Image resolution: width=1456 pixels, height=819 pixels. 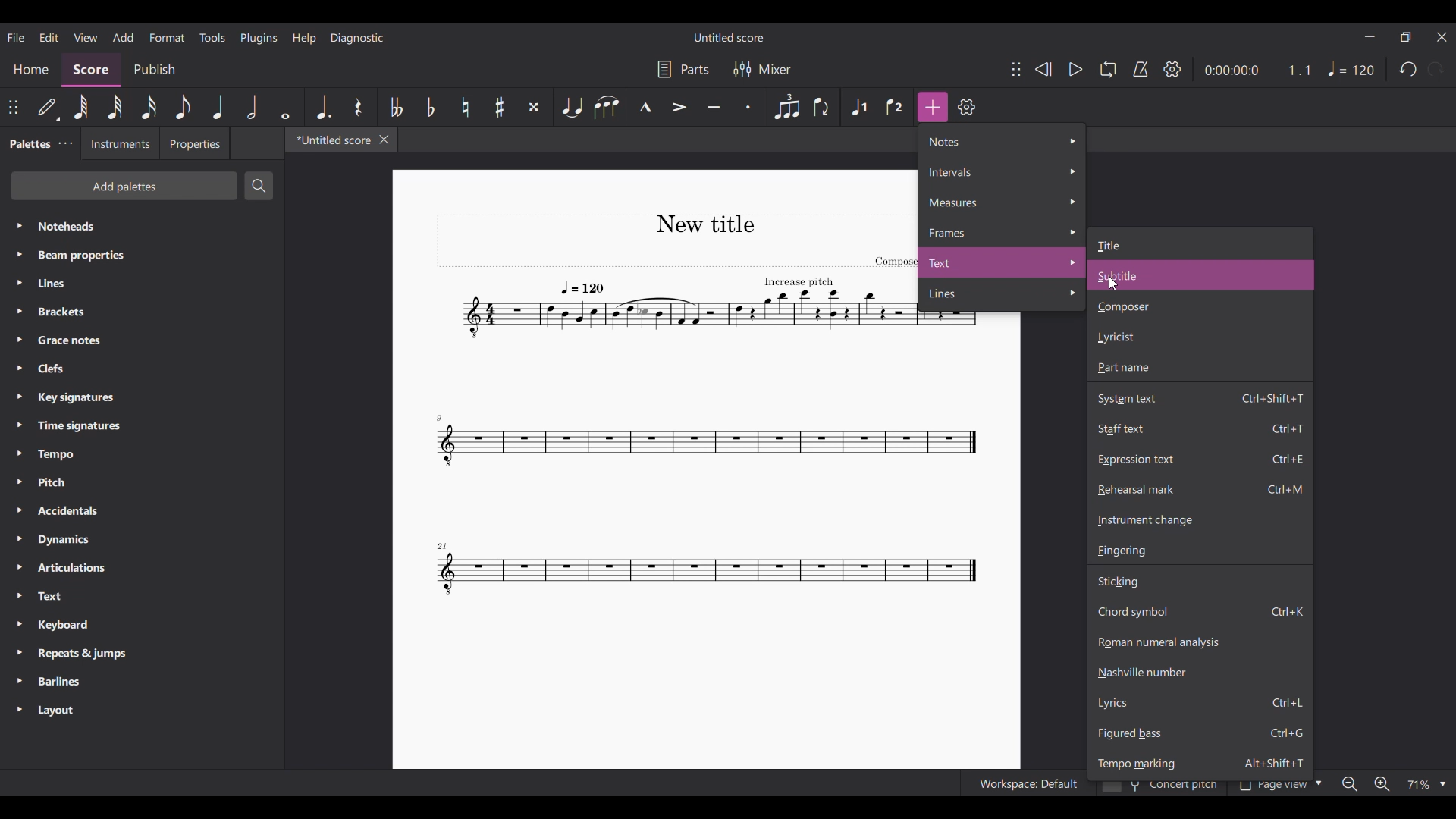 What do you see at coordinates (47, 107) in the screenshot?
I see `Default` at bounding box center [47, 107].